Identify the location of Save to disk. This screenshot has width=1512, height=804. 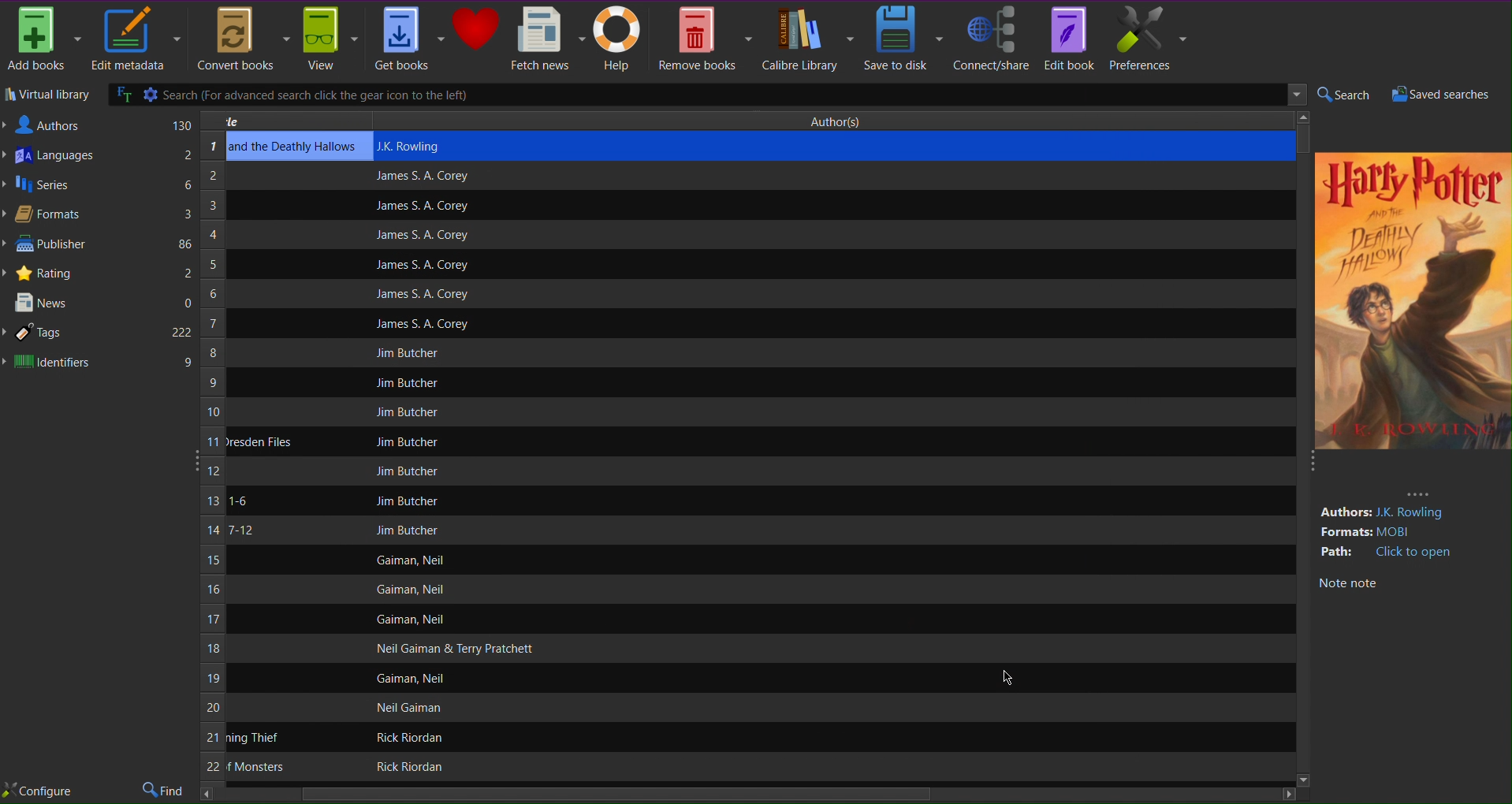
(904, 37).